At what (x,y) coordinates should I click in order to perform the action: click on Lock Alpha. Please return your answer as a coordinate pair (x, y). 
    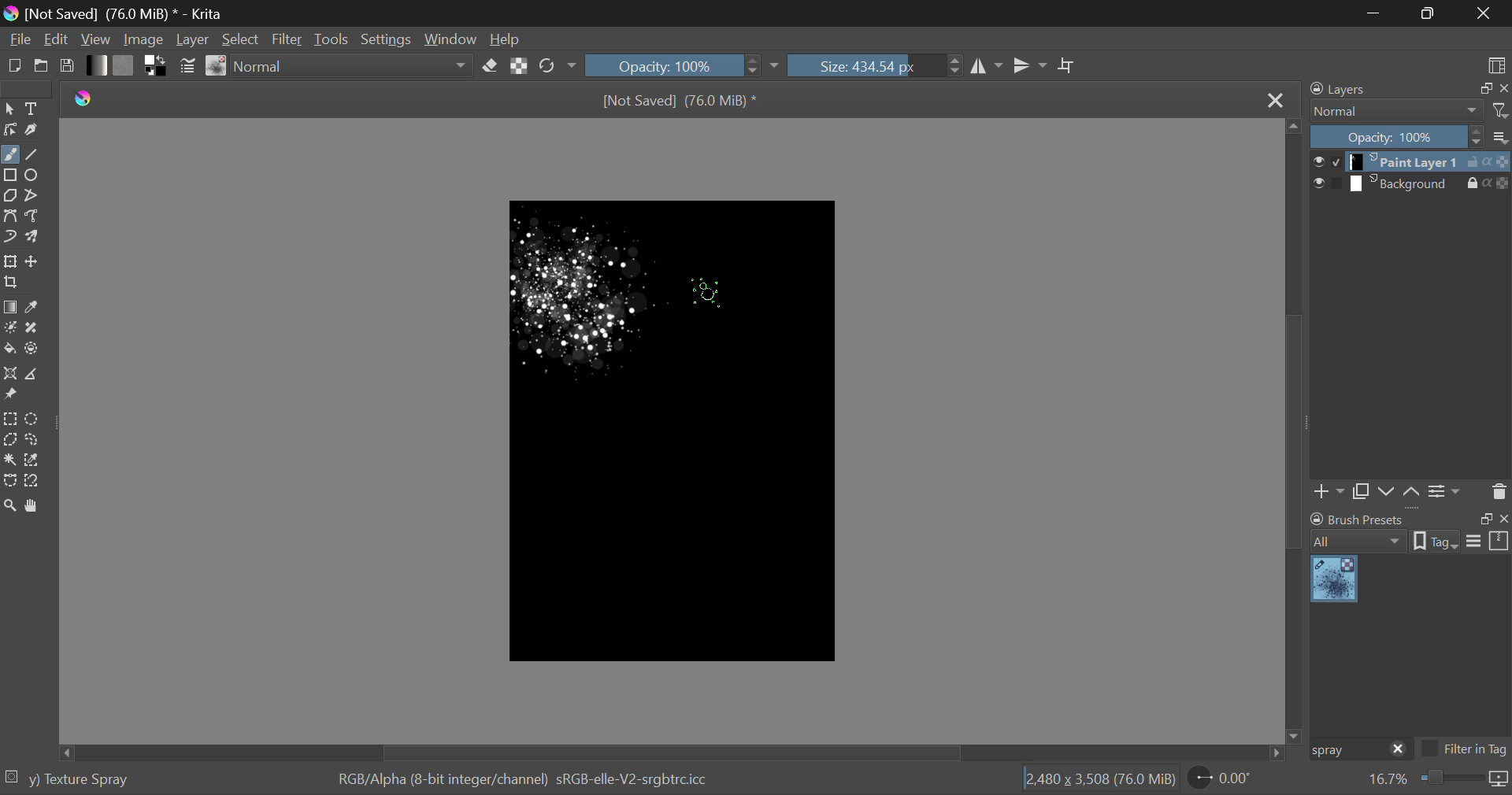
    Looking at the image, I should click on (520, 65).